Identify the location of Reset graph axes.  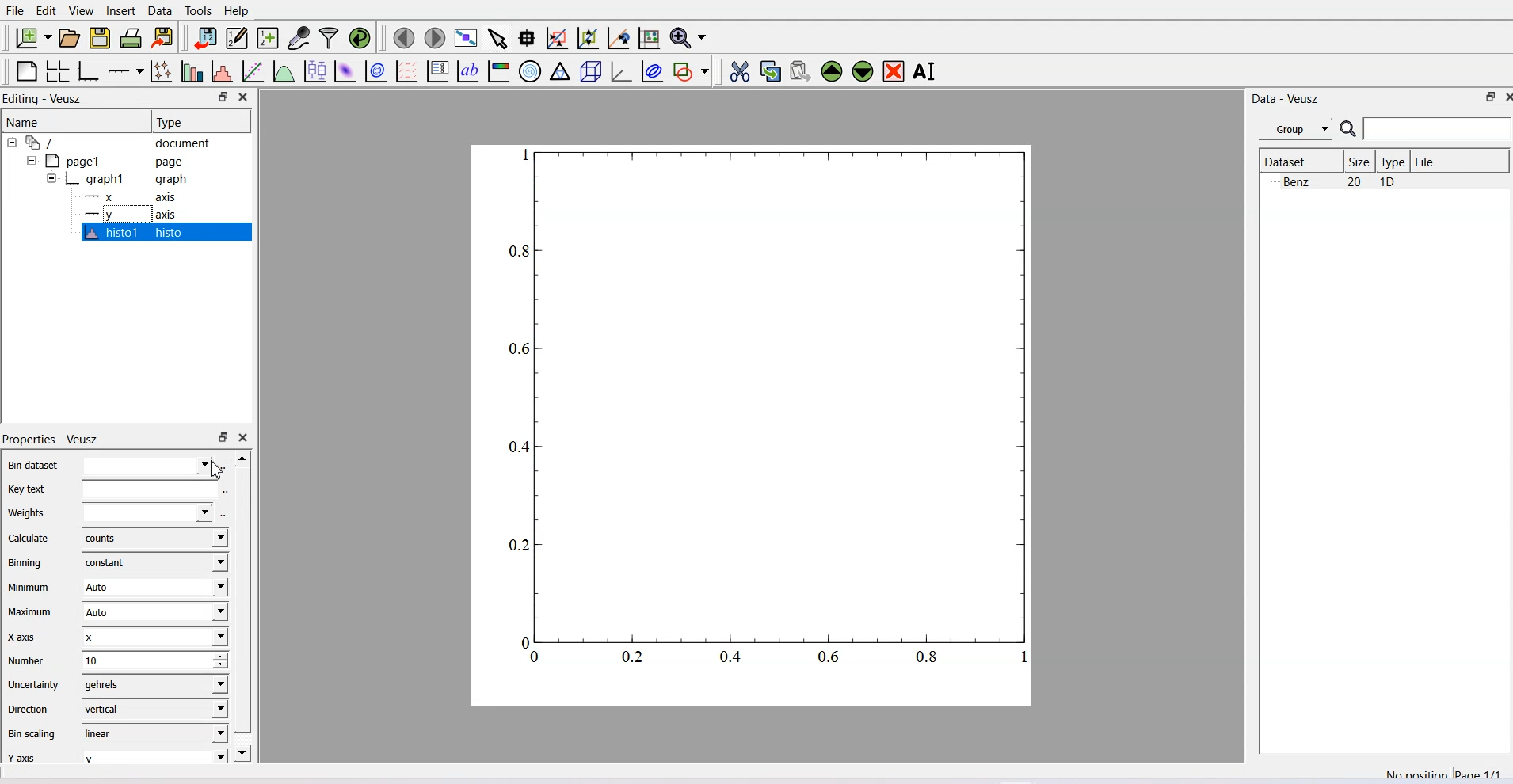
(650, 37).